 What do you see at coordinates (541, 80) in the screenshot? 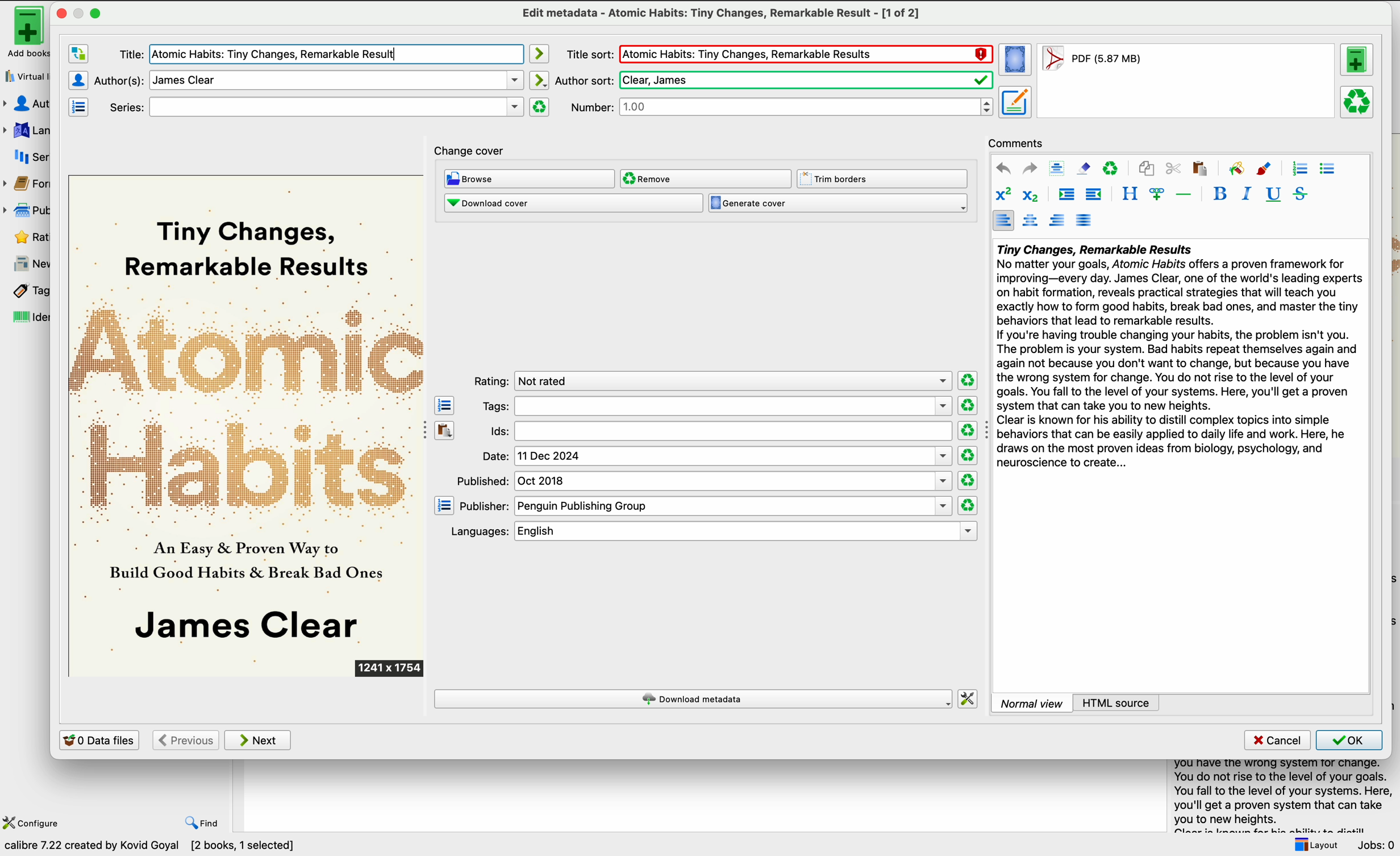
I see `automatically mode icon` at bounding box center [541, 80].